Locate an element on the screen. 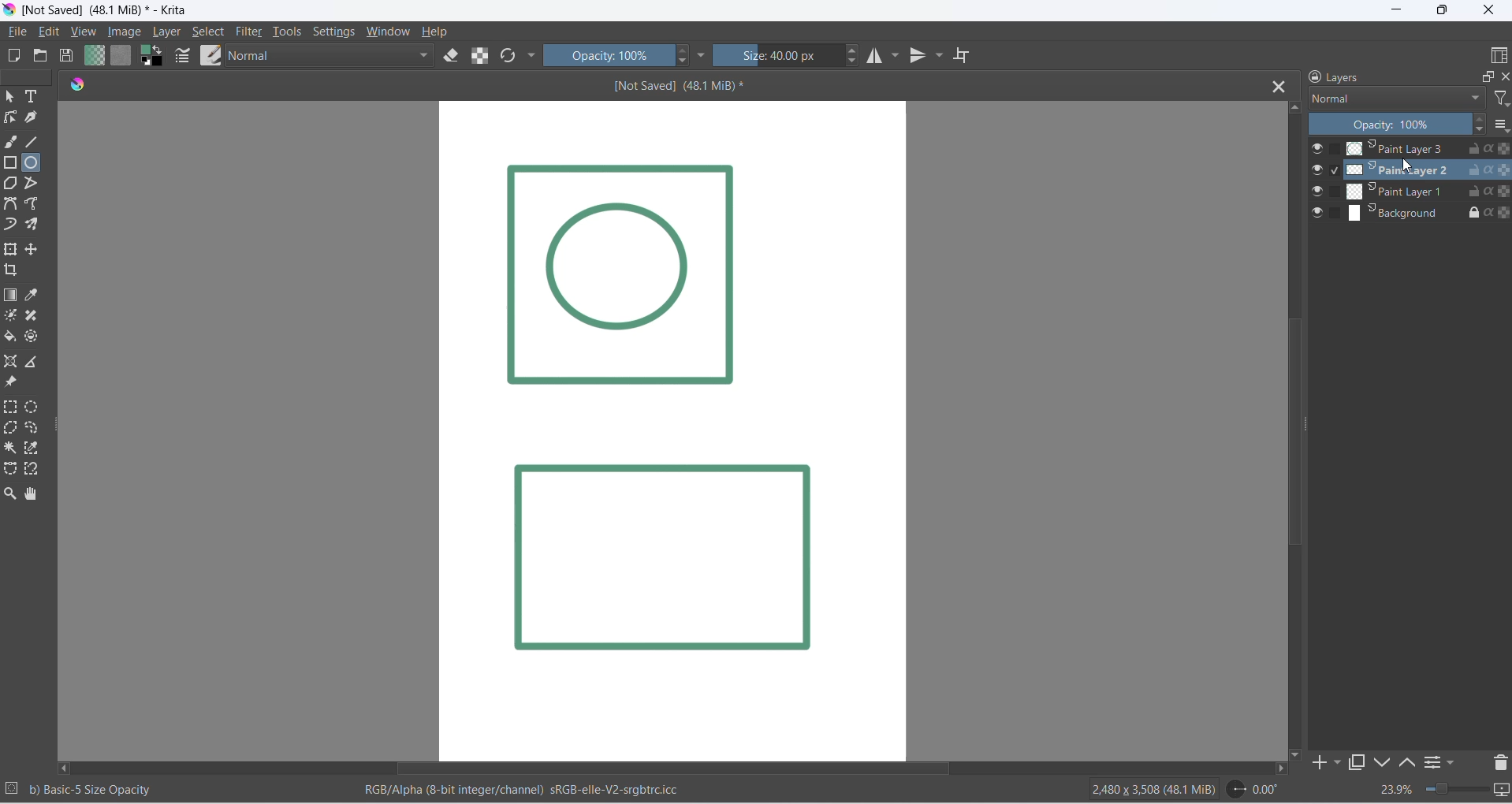 This screenshot has height=804, width=1512. scrollbar is located at coordinates (1306, 427).